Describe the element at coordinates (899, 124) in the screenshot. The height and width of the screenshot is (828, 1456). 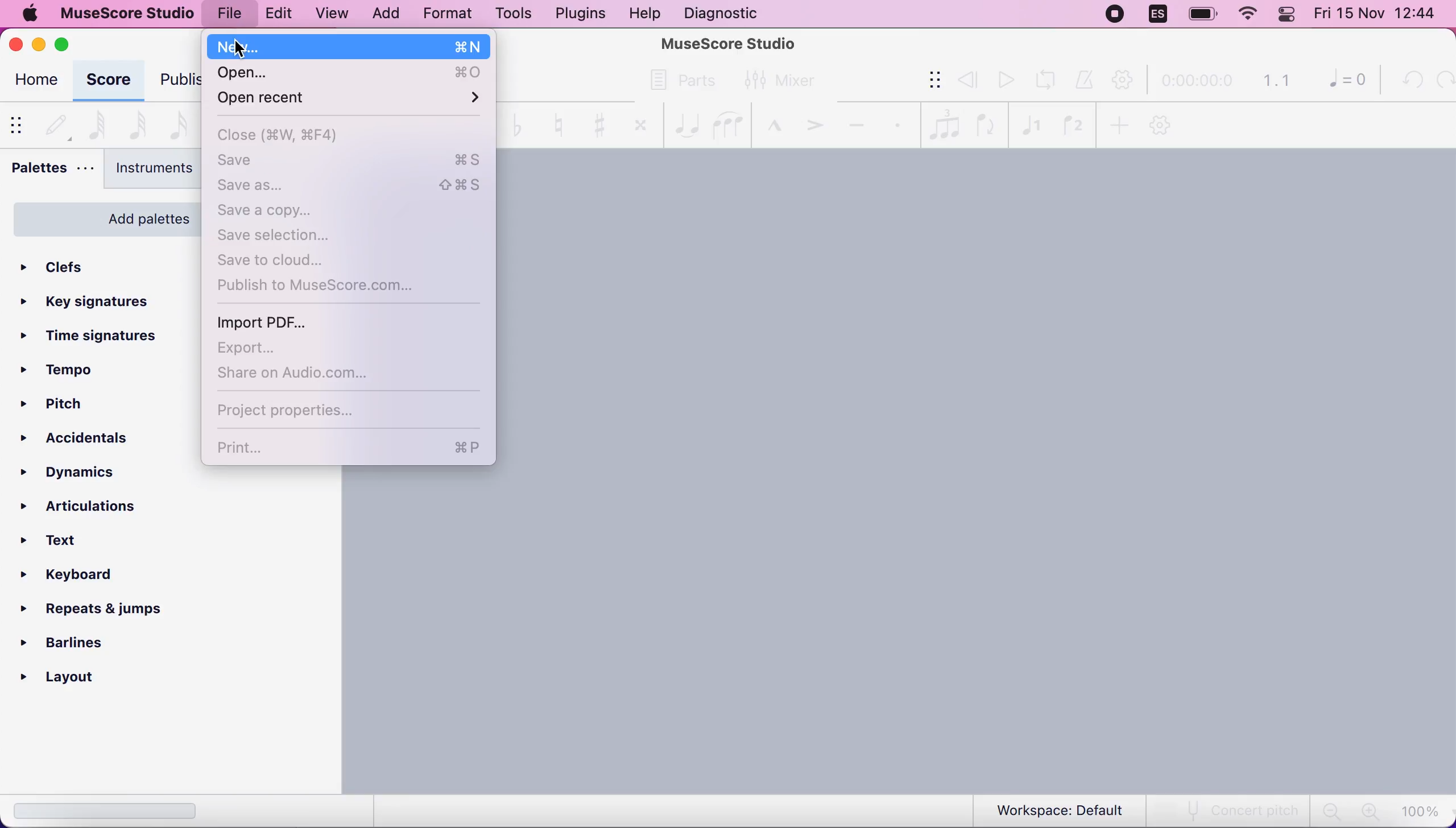
I see `staccato` at that location.